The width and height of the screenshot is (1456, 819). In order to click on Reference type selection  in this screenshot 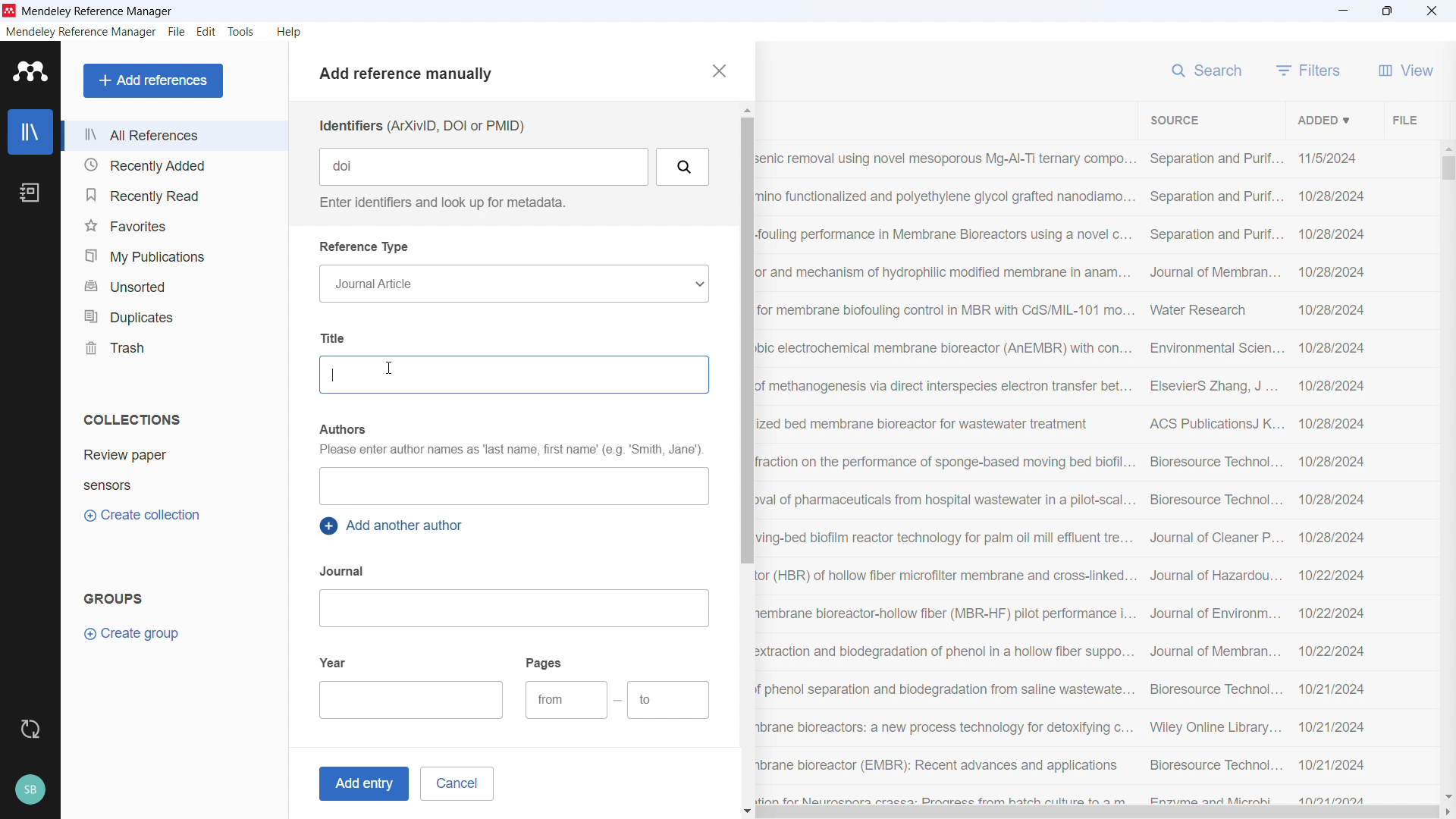, I will do `click(513, 284)`.